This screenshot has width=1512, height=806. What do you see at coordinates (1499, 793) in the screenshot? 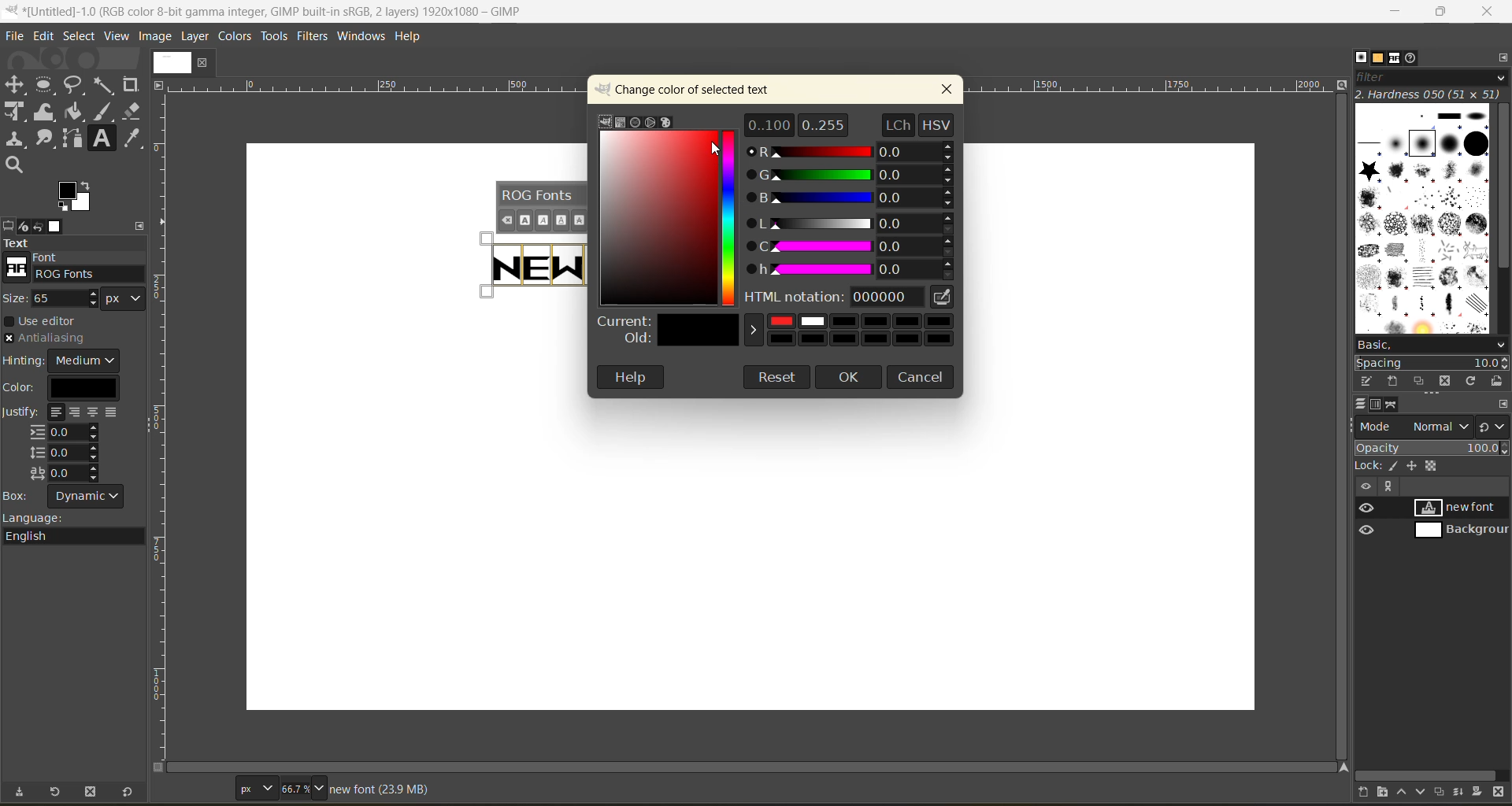
I see `delete this layer` at bounding box center [1499, 793].